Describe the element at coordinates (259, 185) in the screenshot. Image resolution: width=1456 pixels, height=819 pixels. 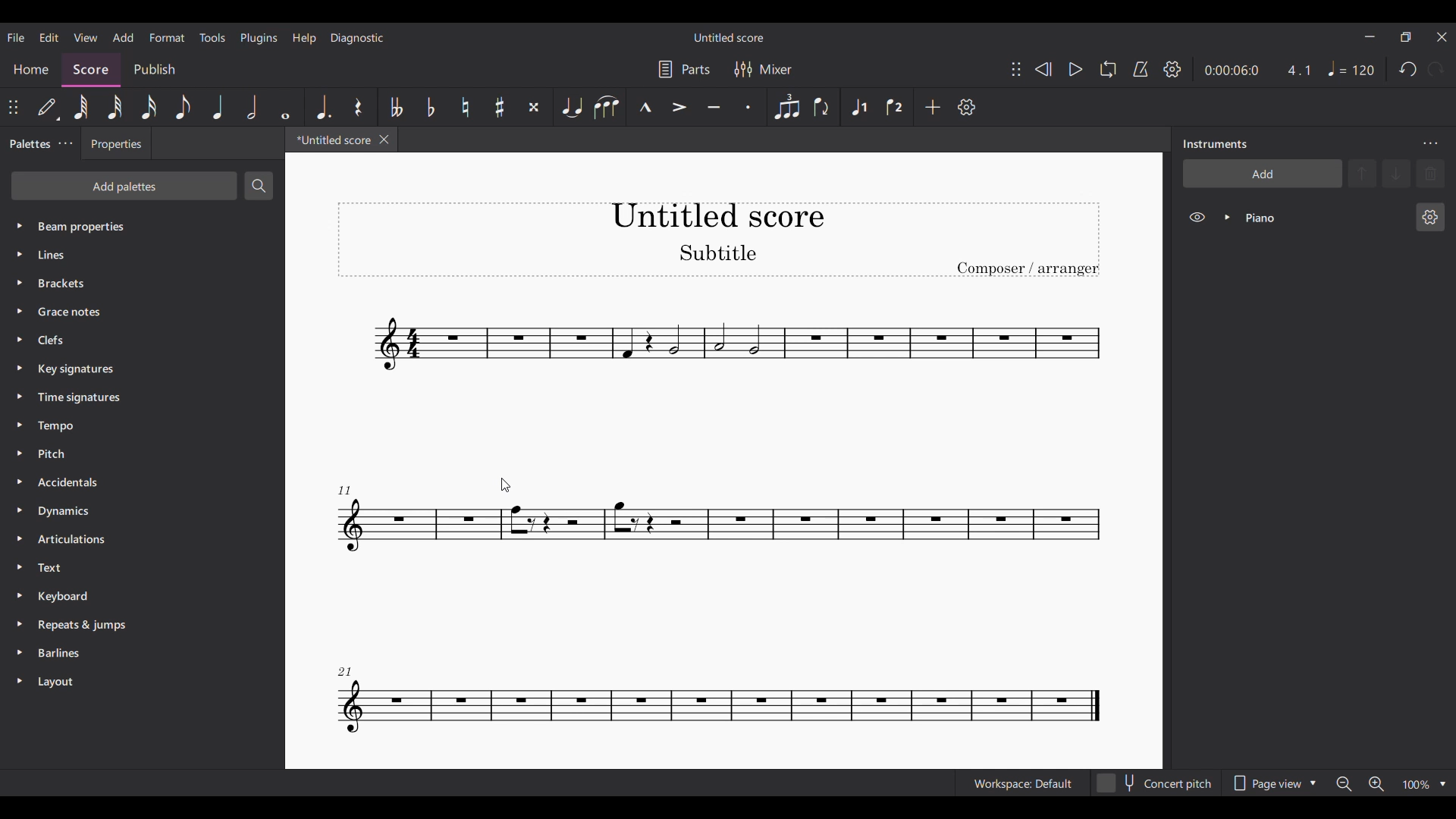
I see `Search palette` at that location.